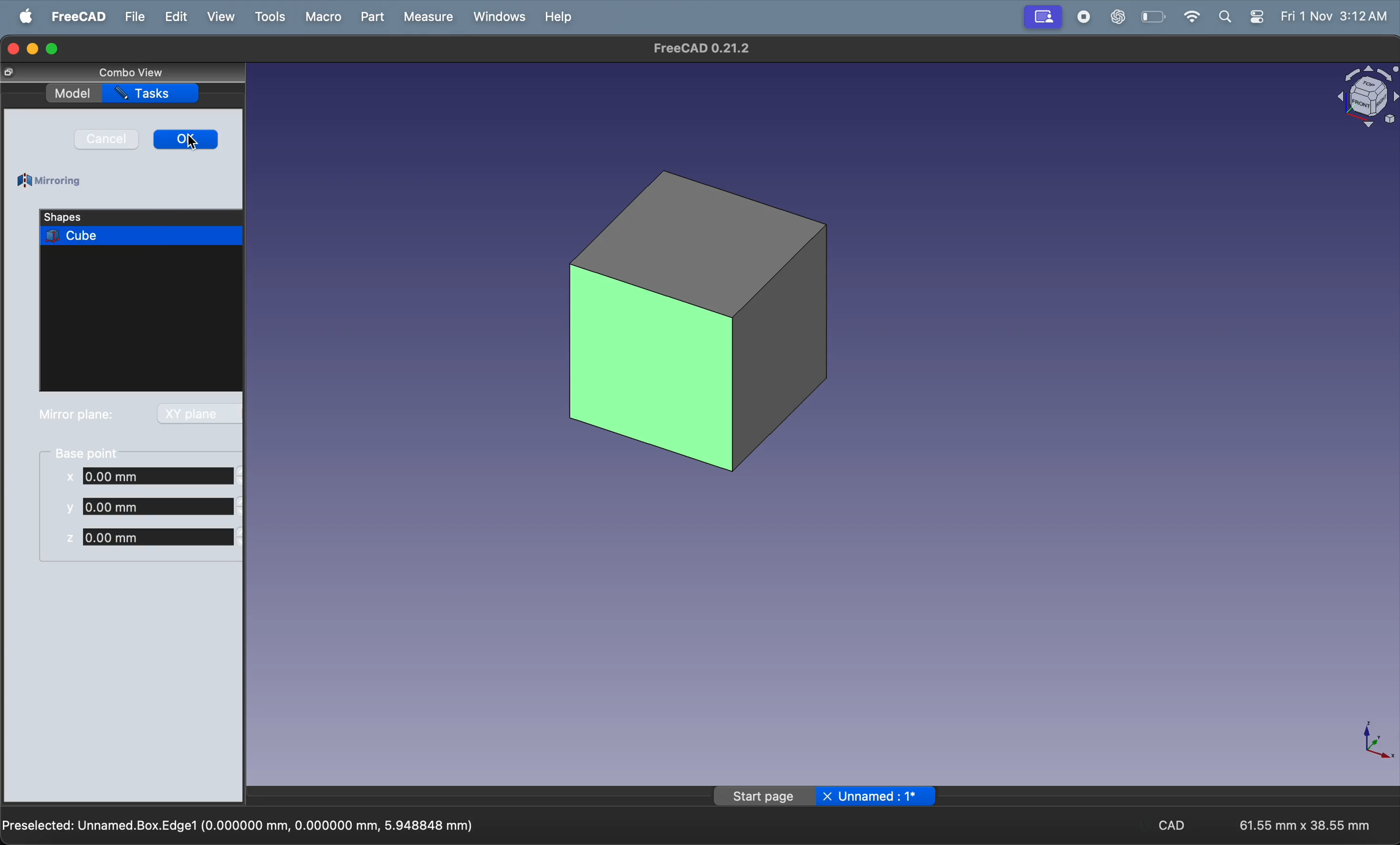 The image size is (1400, 845). What do you see at coordinates (153, 478) in the screenshot?
I see `x coordinate` at bounding box center [153, 478].